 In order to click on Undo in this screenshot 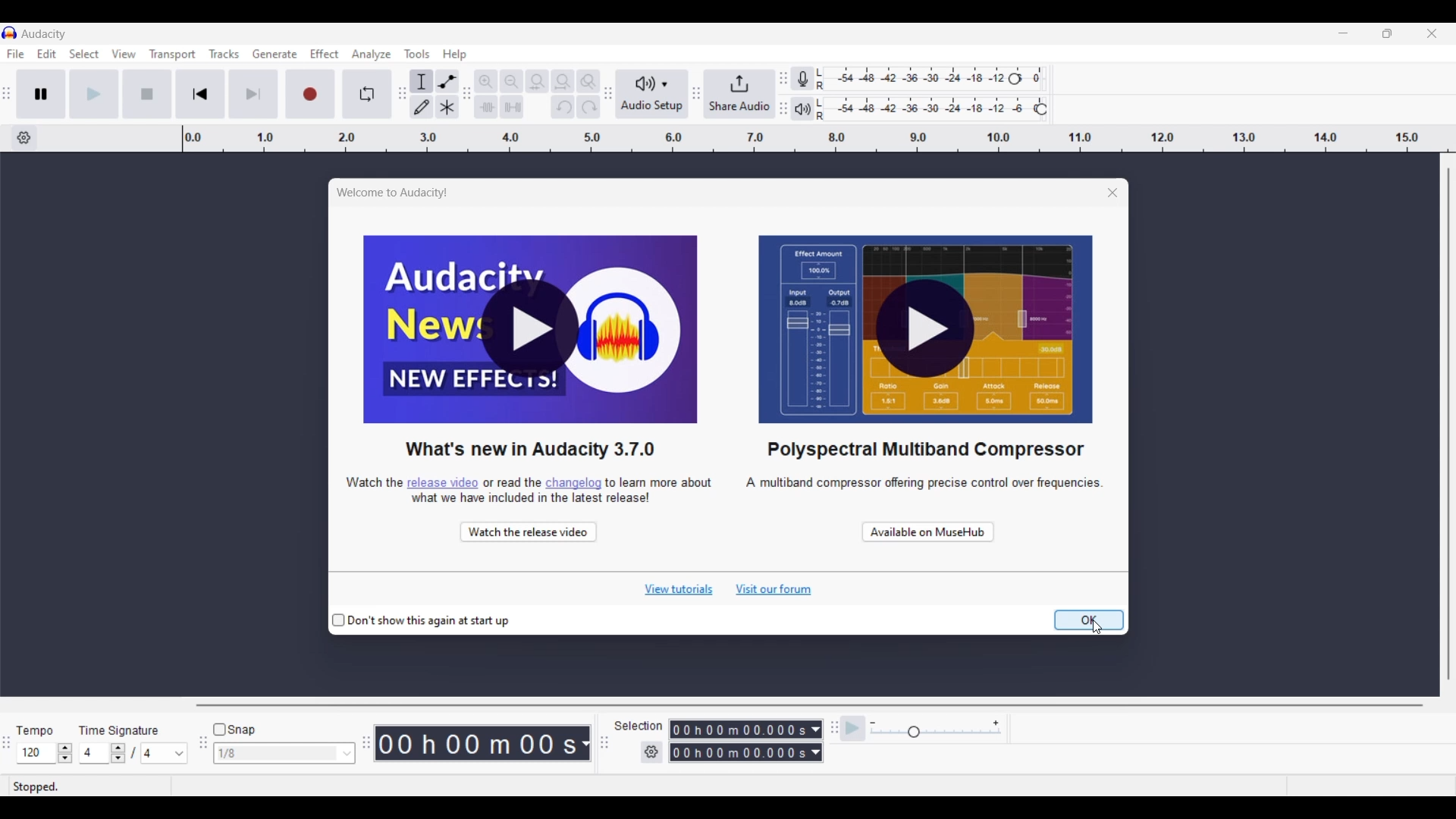, I will do `click(563, 106)`.